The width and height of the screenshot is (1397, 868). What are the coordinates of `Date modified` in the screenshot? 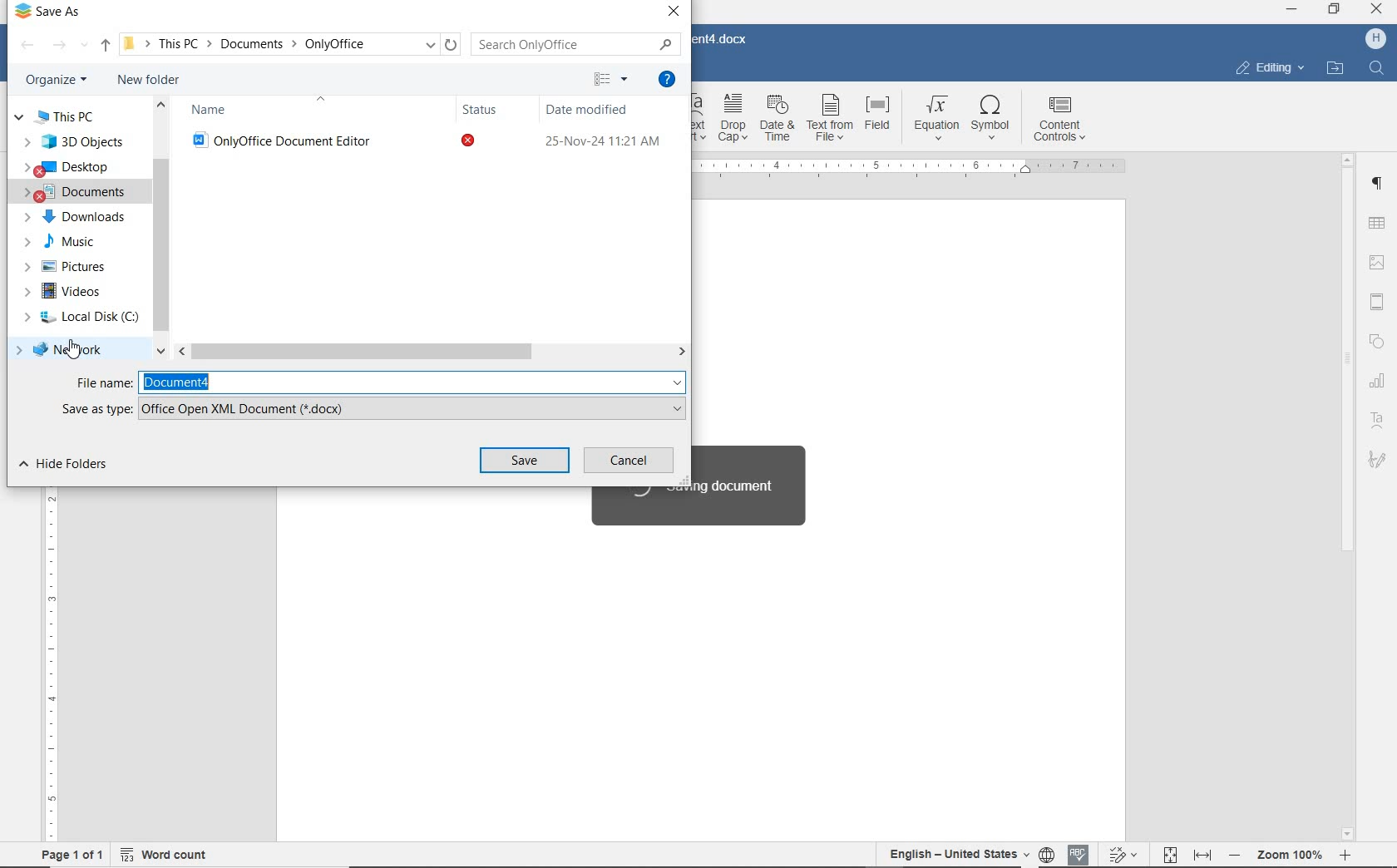 It's located at (585, 108).